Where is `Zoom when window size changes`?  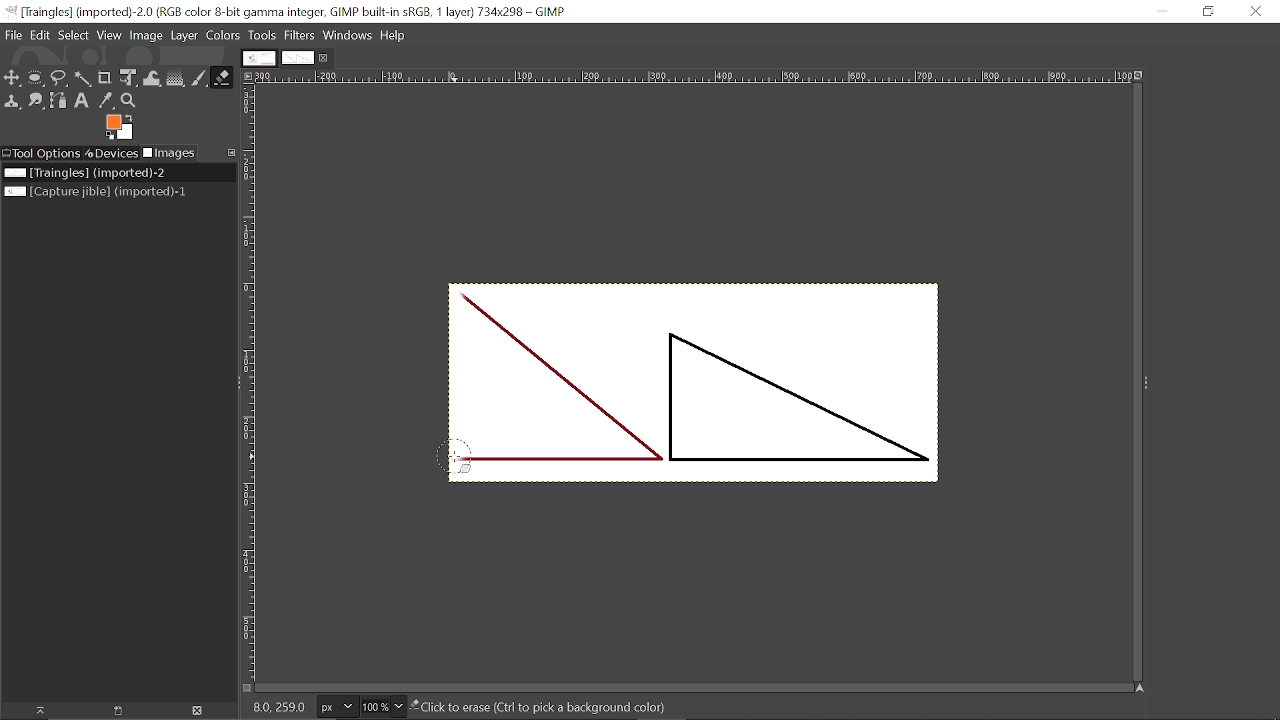 Zoom when window size changes is located at coordinates (1142, 77).